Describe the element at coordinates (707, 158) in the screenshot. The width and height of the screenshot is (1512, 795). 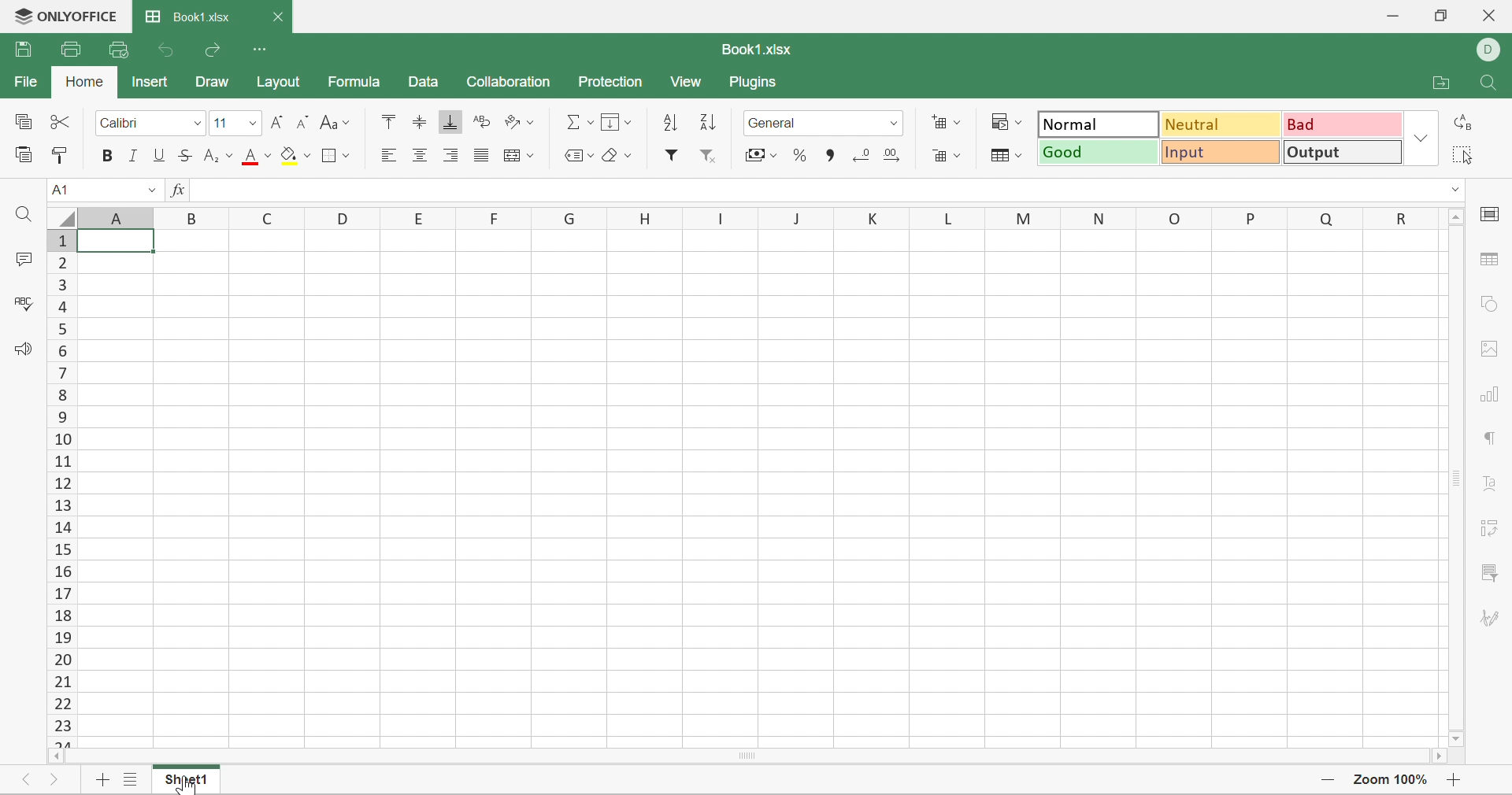
I see `Remove filter` at that location.